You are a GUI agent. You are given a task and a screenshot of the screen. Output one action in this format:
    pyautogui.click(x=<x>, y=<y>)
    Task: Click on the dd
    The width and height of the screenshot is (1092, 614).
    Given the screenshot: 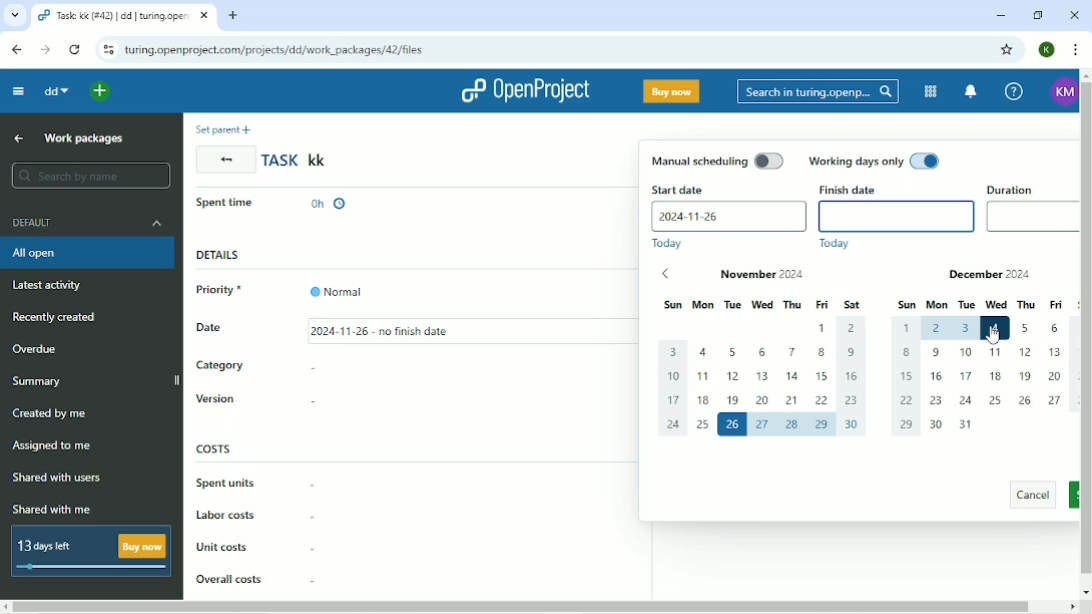 What is the action you would take?
    pyautogui.click(x=59, y=92)
    